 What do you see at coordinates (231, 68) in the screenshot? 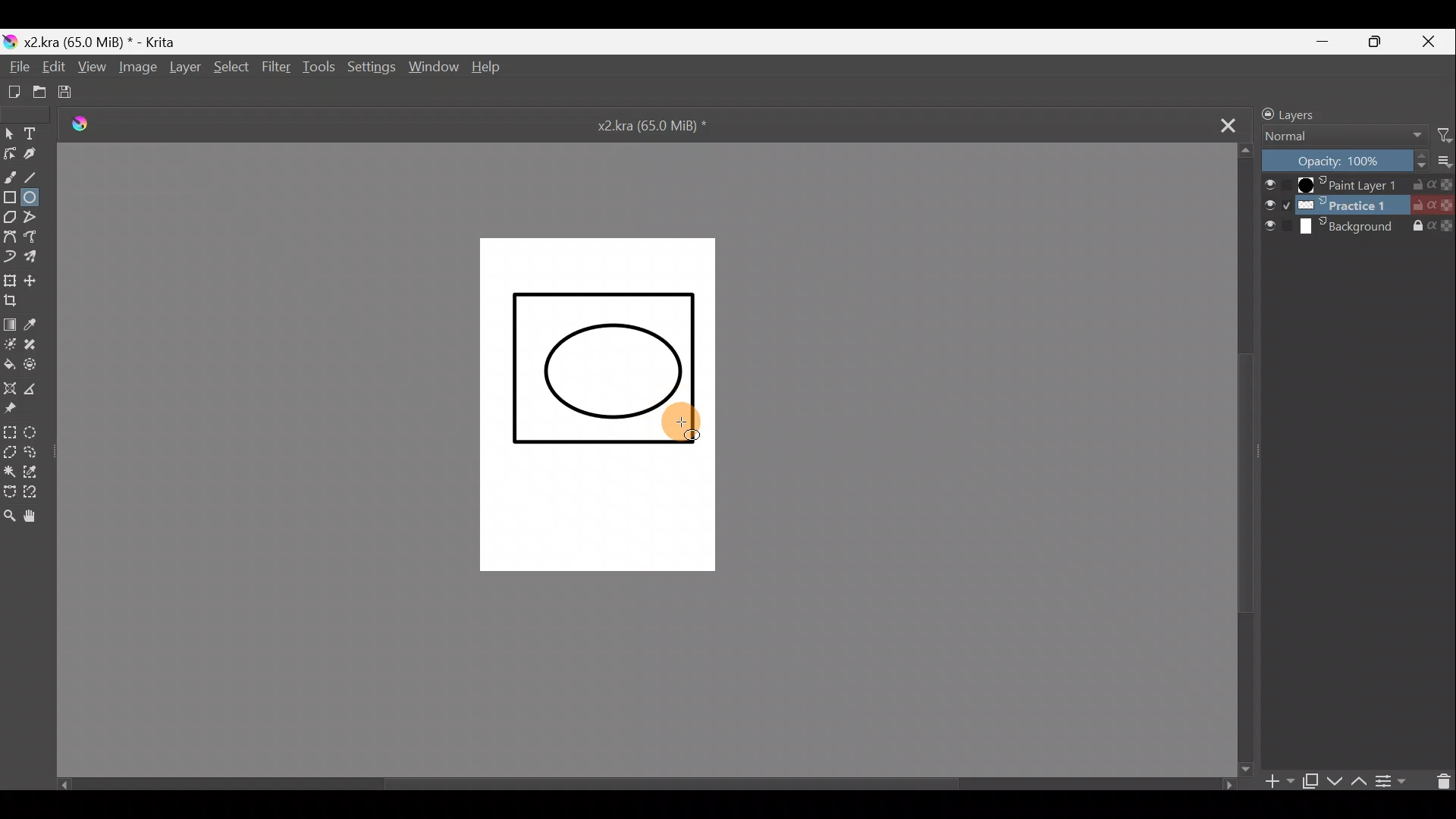
I see `Select` at bounding box center [231, 68].